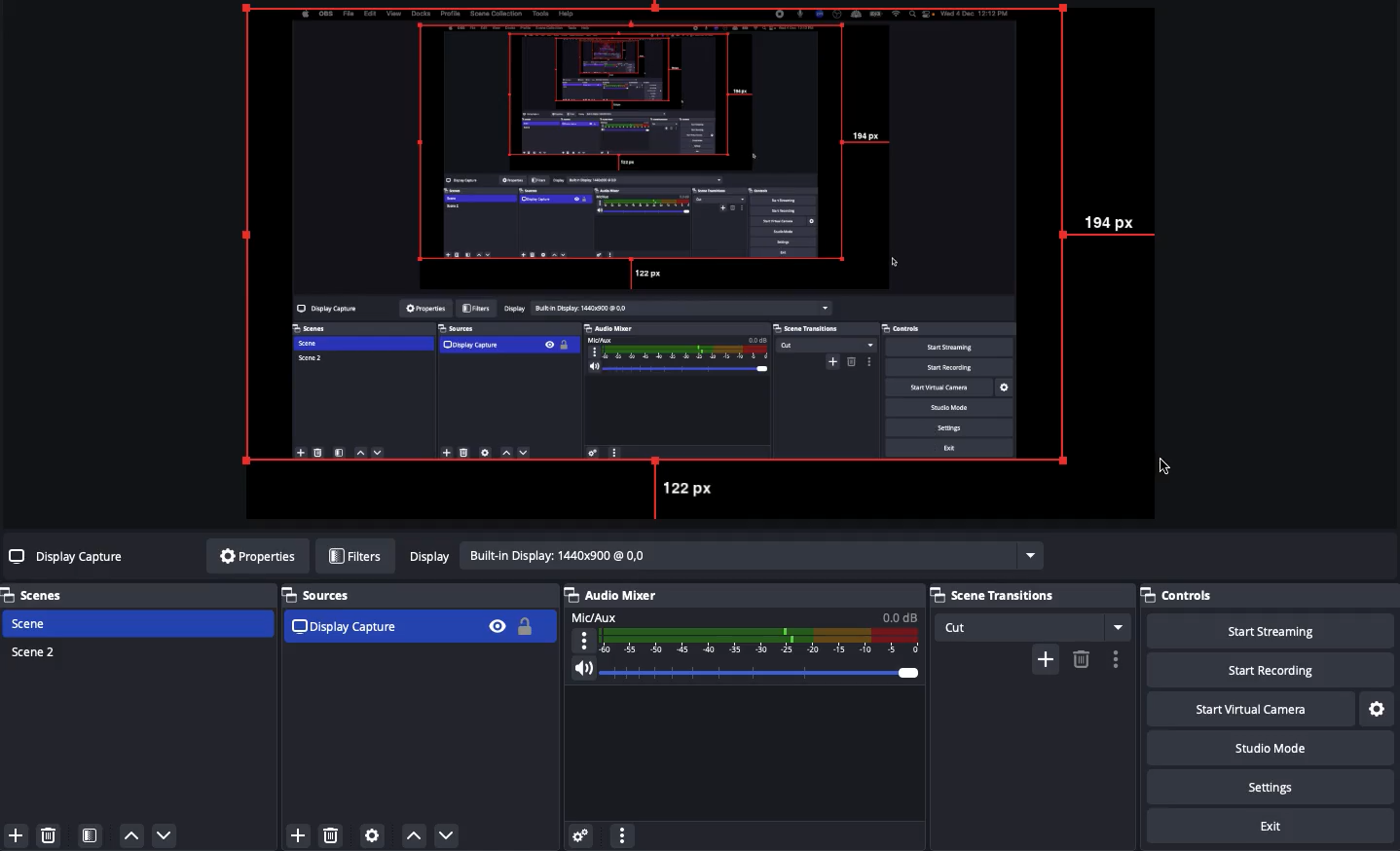 This screenshot has height=851, width=1400. I want to click on 122 px, so click(691, 489).